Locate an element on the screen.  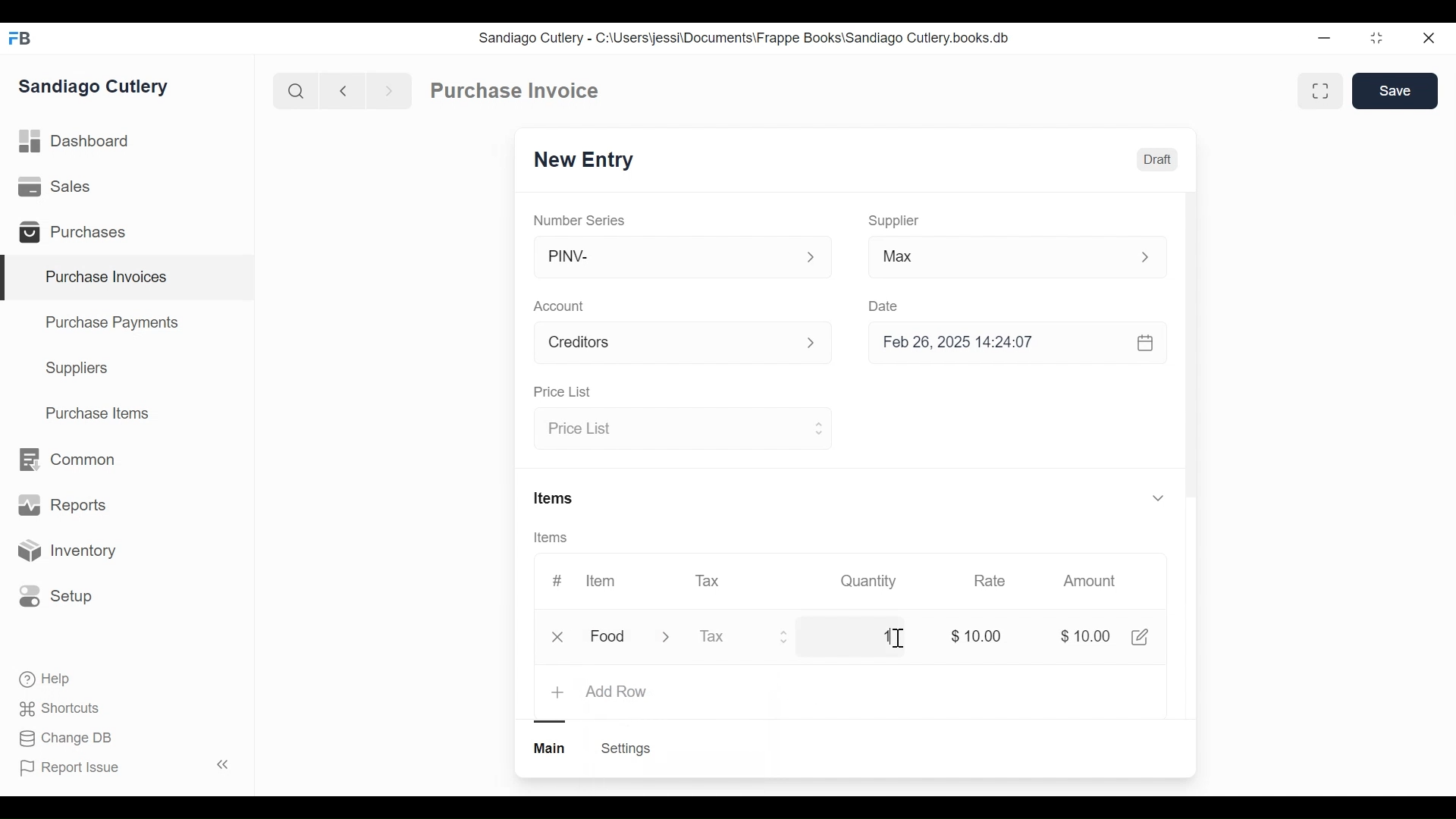
Expand is located at coordinates (1157, 497).